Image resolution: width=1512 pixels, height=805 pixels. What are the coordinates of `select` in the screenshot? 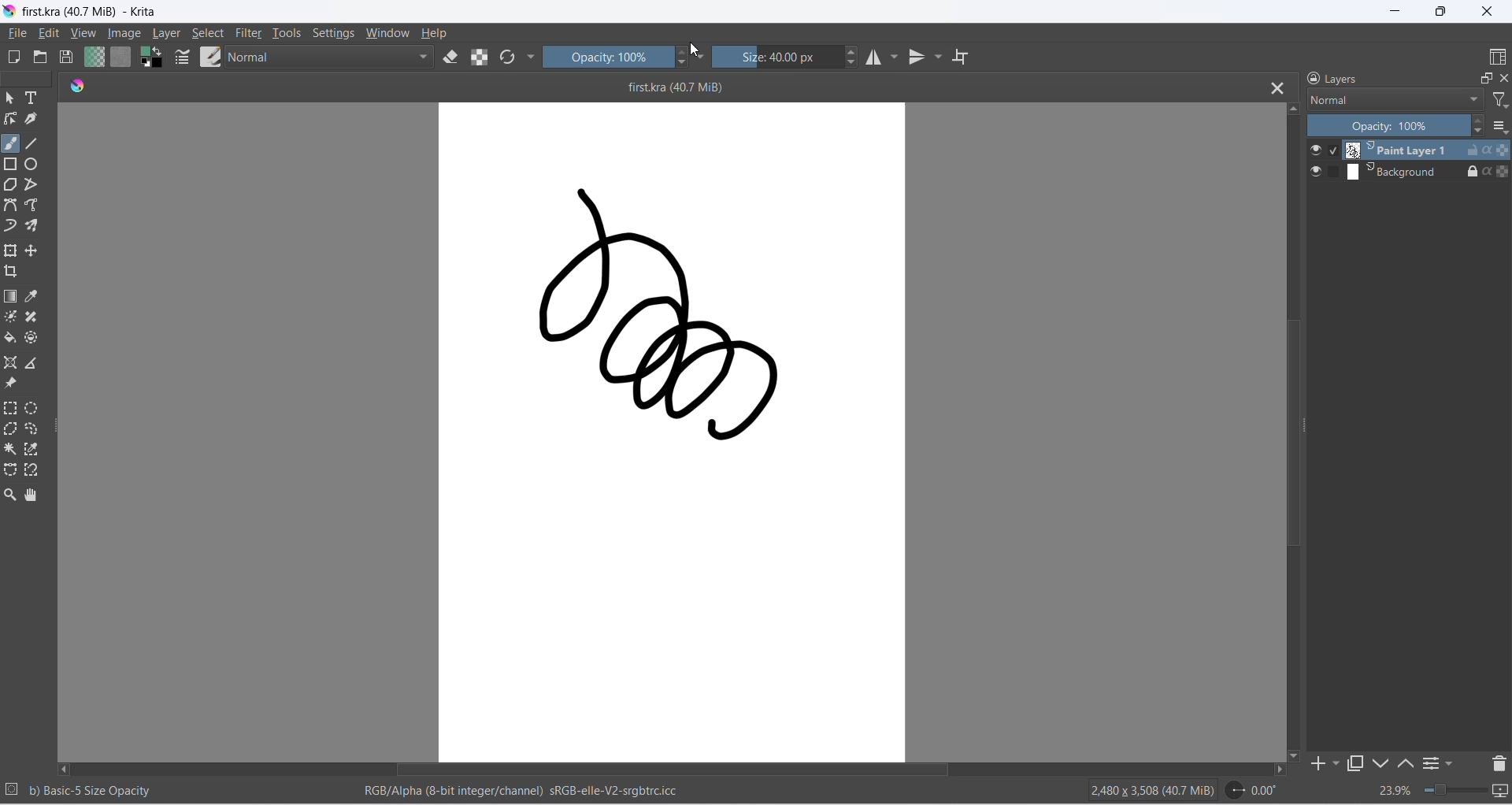 It's located at (209, 33).